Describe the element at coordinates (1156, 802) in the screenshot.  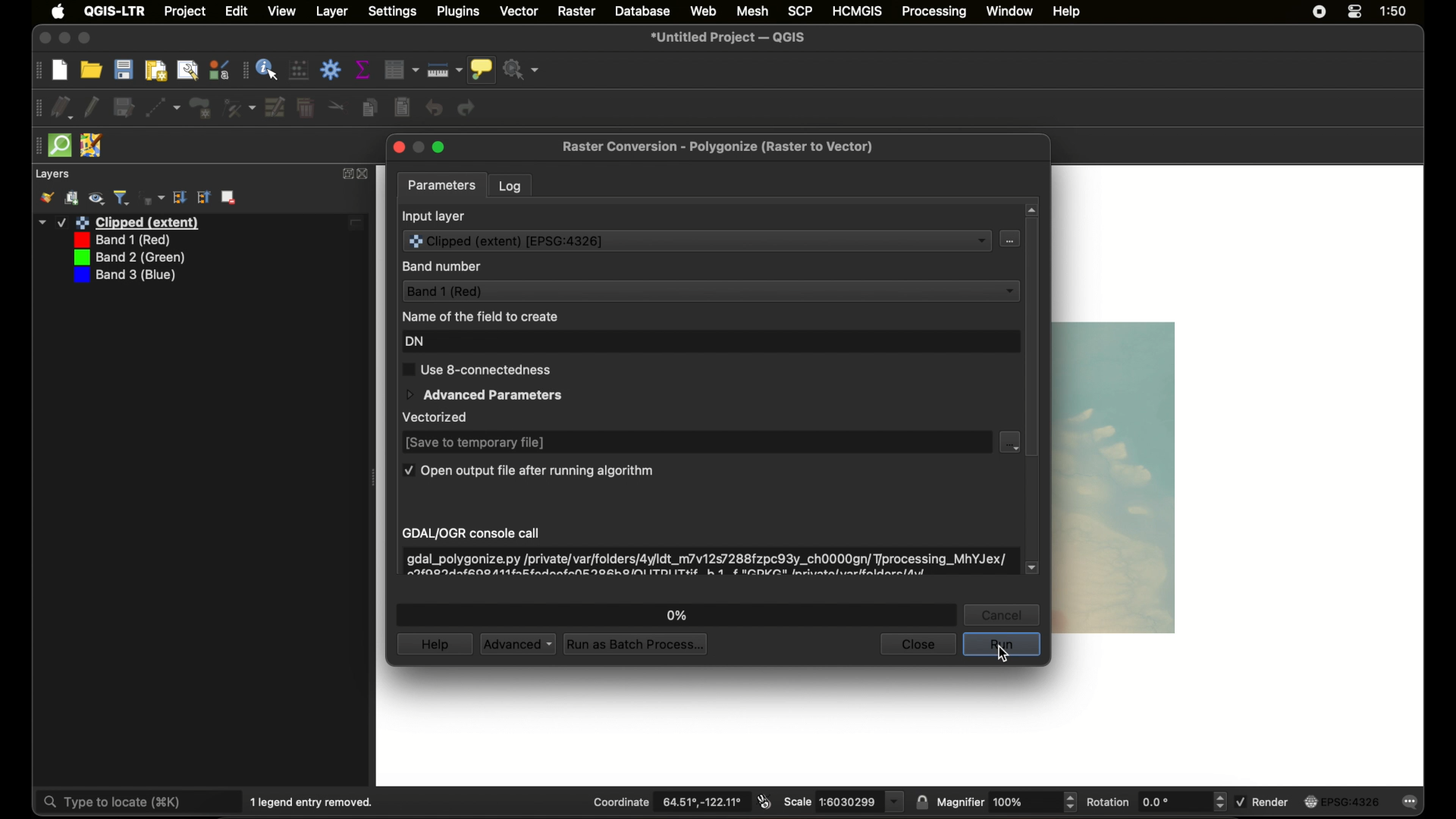
I see `rotation` at that location.